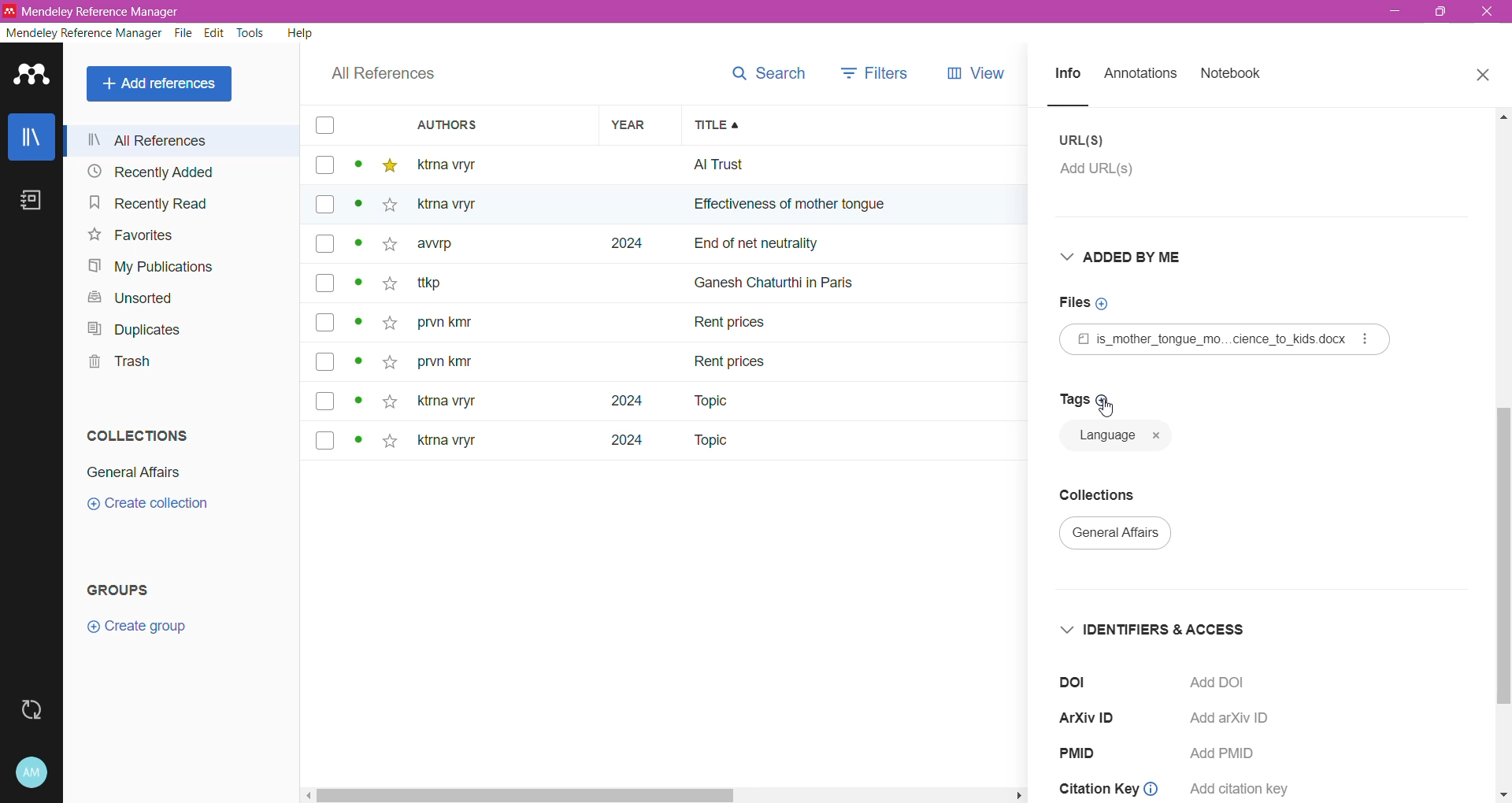 This screenshot has height=803, width=1512. Describe the element at coordinates (445, 364) in the screenshot. I see `prvn kity` at that location.